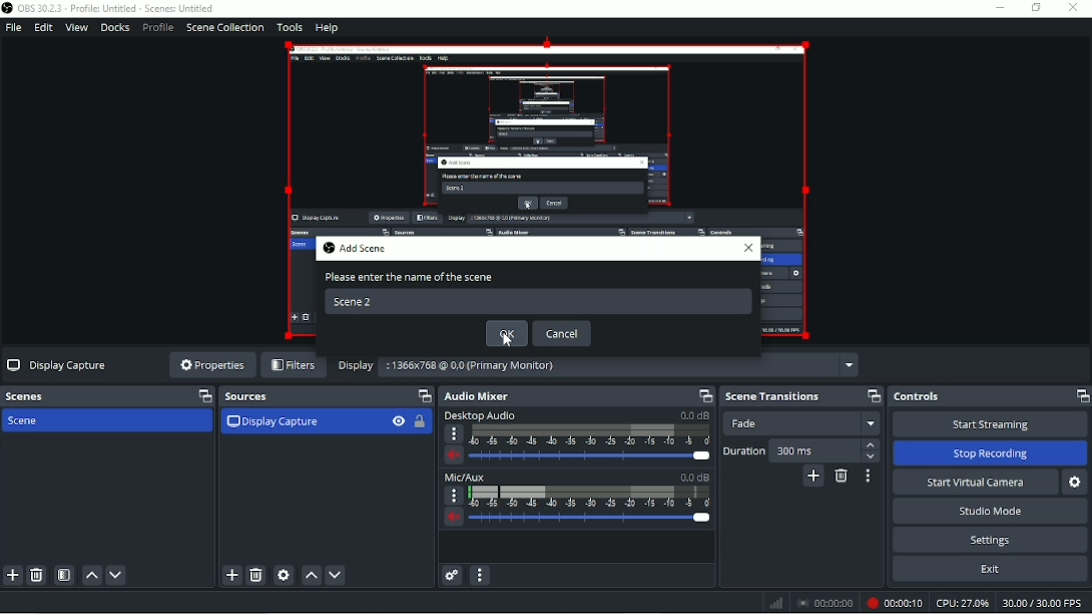 The width and height of the screenshot is (1092, 614). Describe the element at coordinates (114, 28) in the screenshot. I see `Docks` at that location.